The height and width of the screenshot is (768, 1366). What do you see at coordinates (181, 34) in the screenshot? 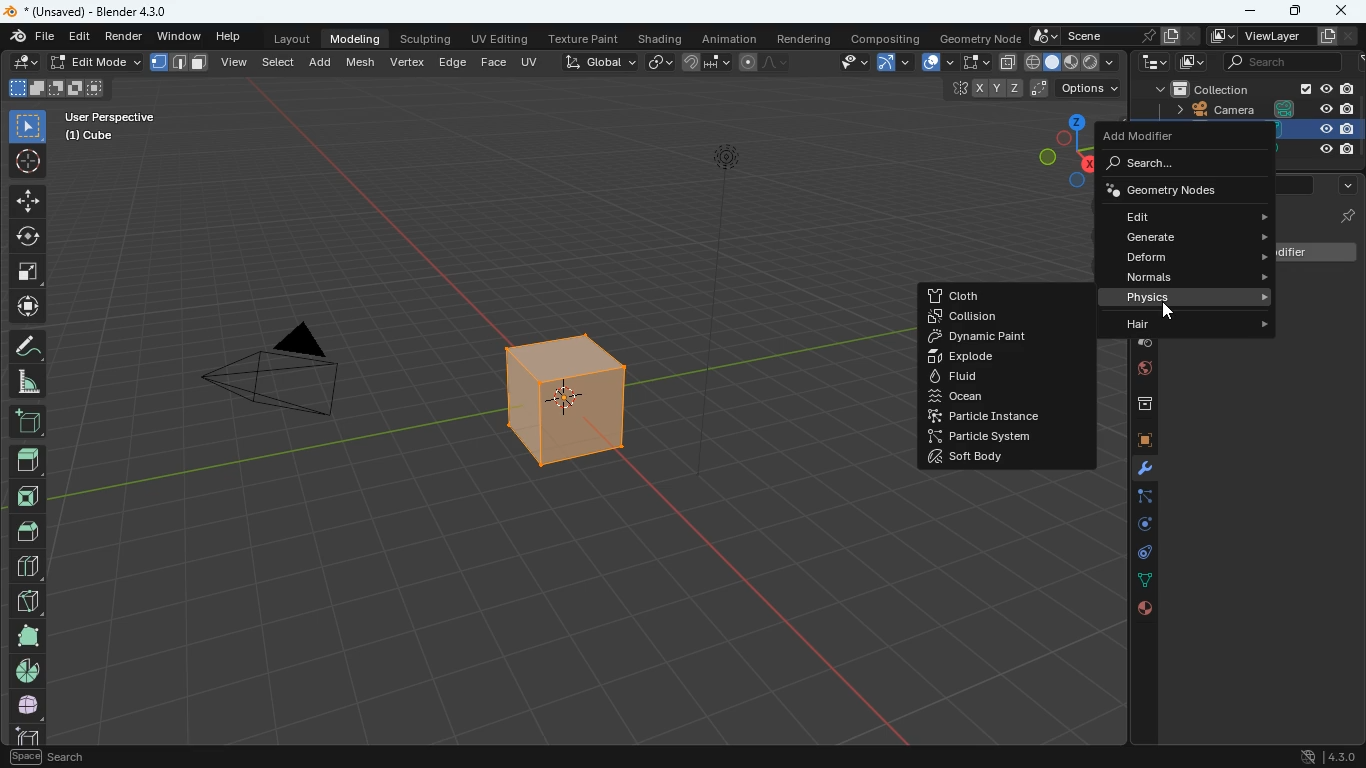
I see `window` at bounding box center [181, 34].